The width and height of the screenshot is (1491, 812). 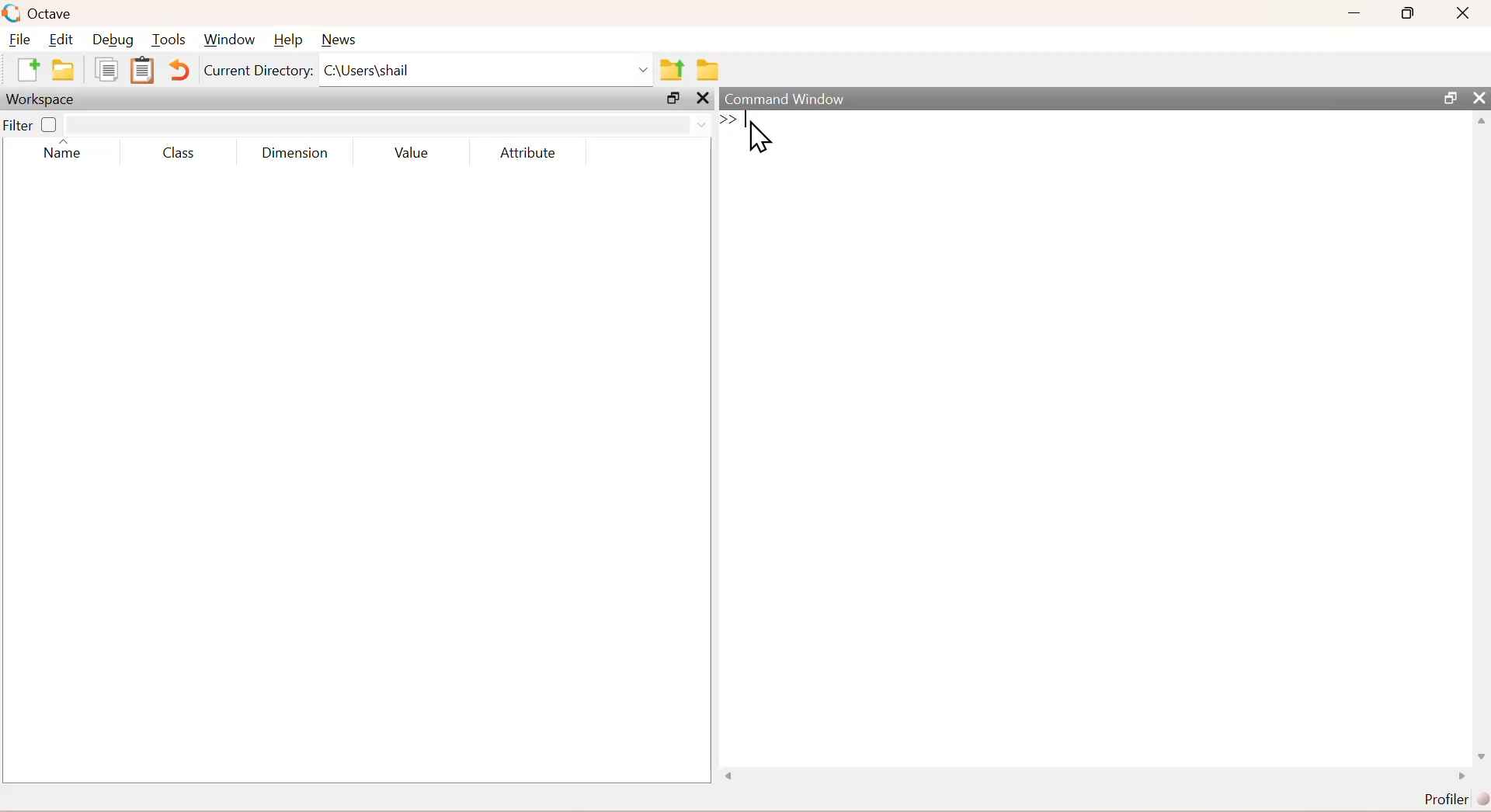 I want to click on Minimize, so click(x=1354, y=13).